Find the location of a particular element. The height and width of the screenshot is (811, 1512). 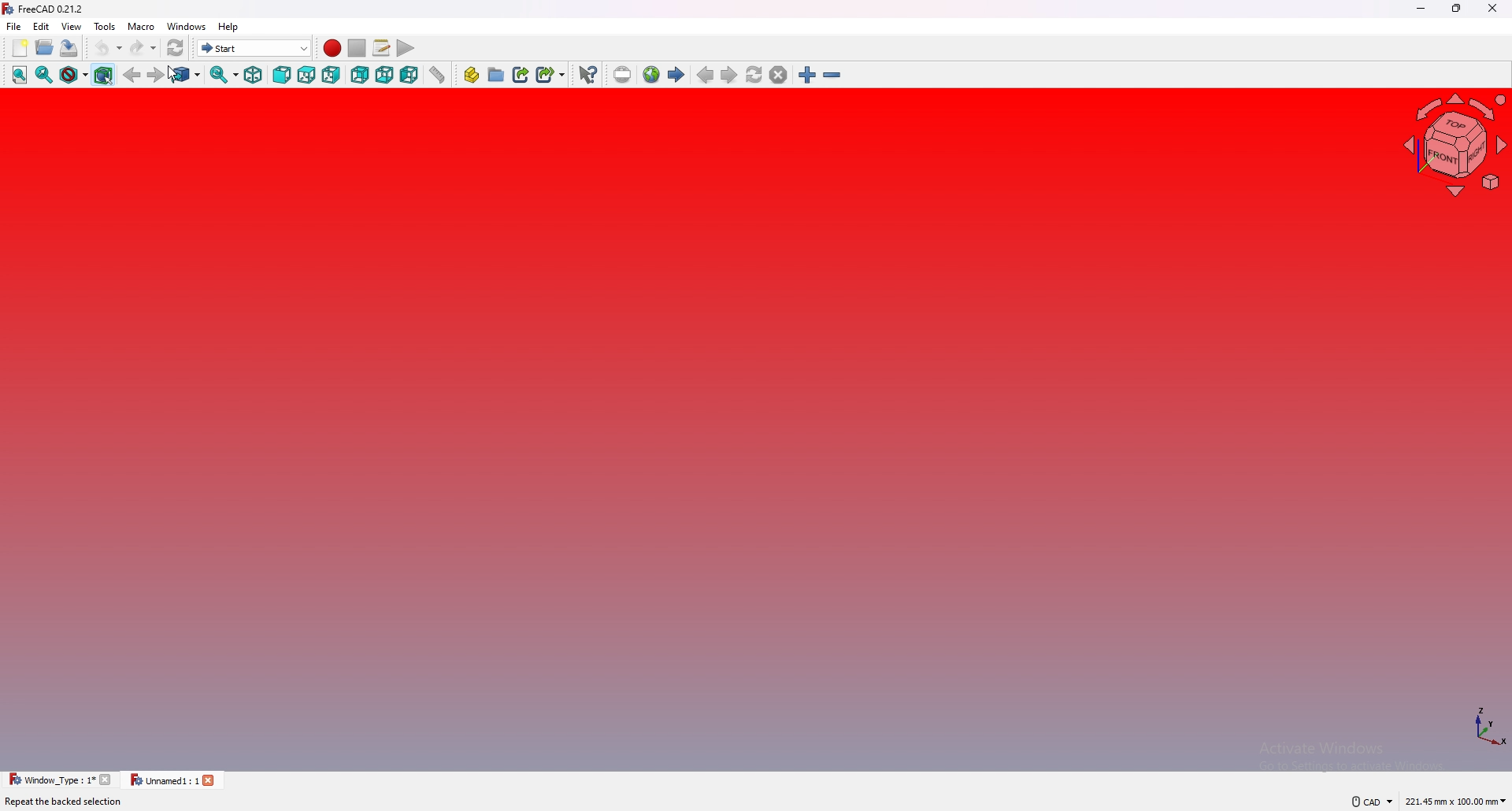

bounding box is located at coordinates (106, 75).